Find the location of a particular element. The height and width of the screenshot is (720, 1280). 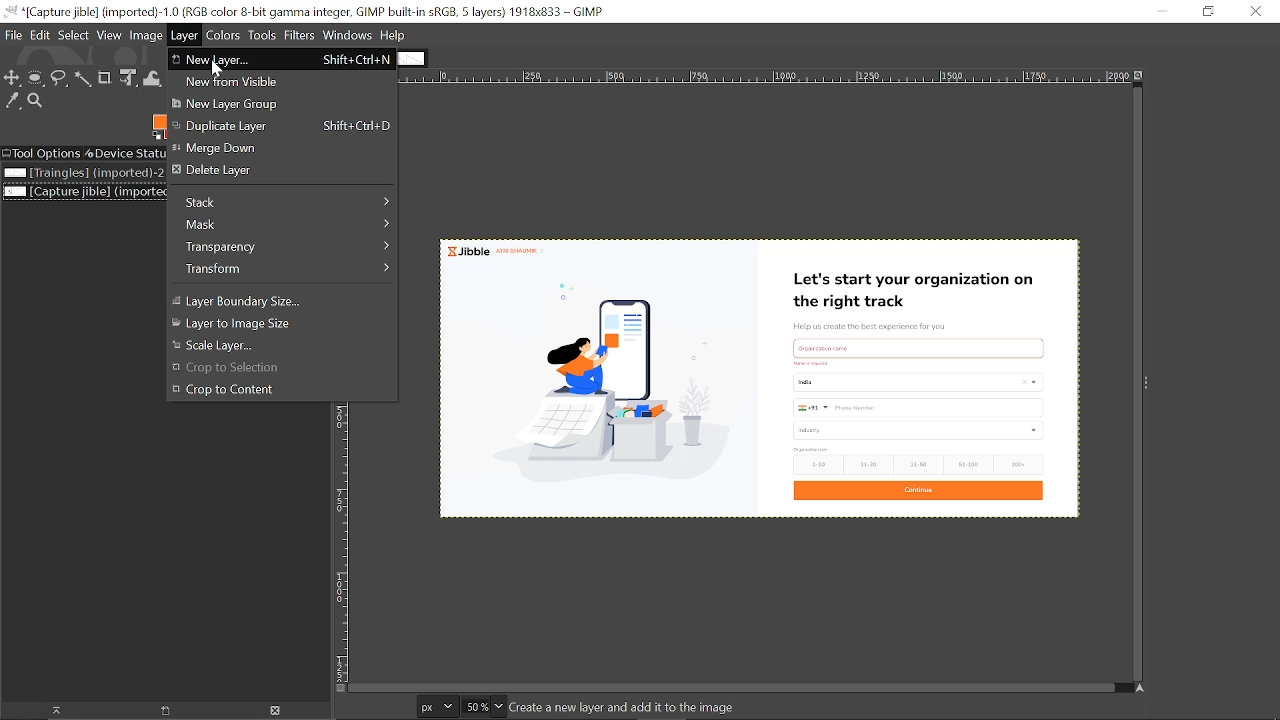

cURRENT WINDOW is located at coordinates (304, 11).